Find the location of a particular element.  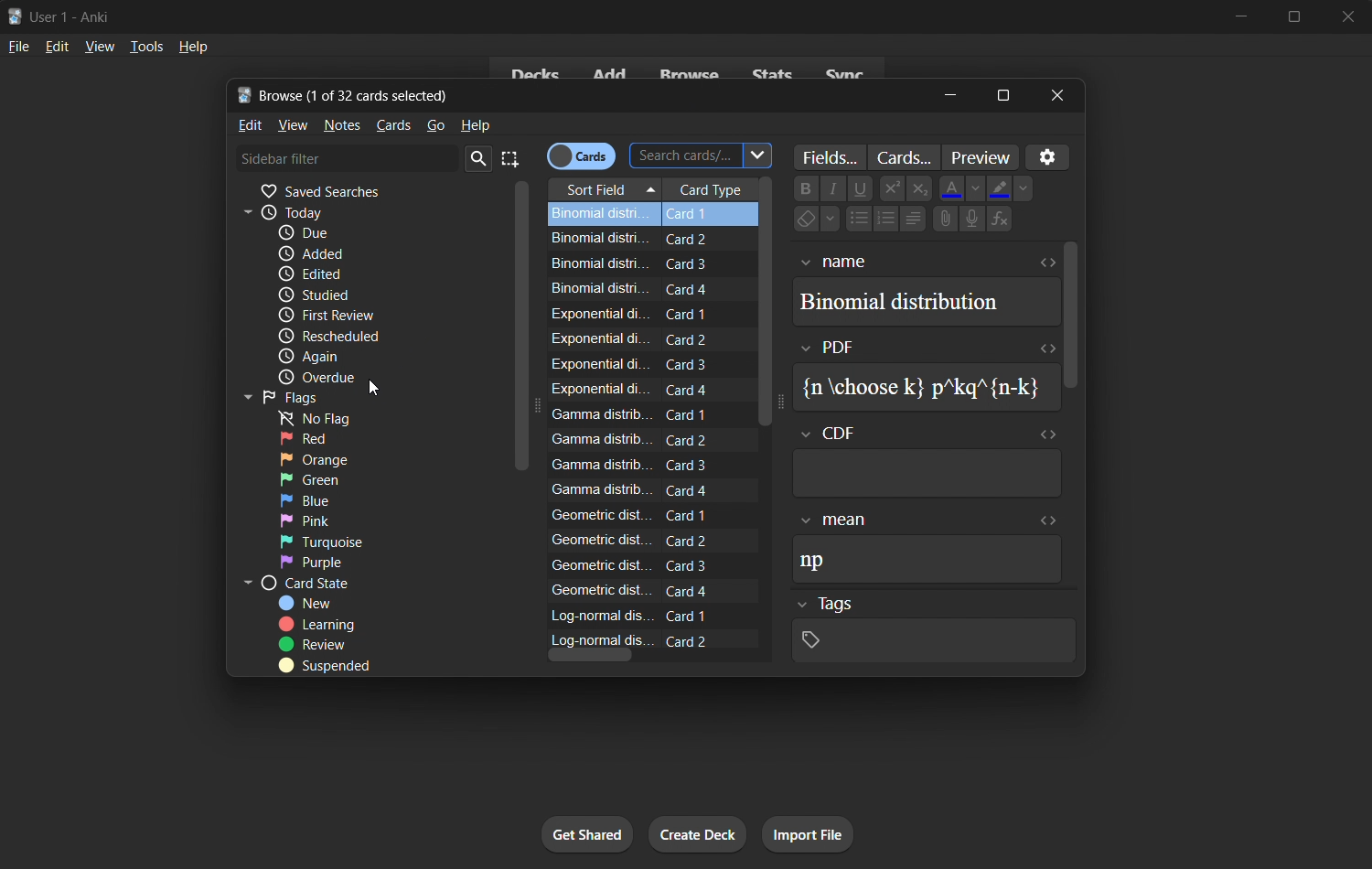

Binomial distri is located at coordinates (601, 213).